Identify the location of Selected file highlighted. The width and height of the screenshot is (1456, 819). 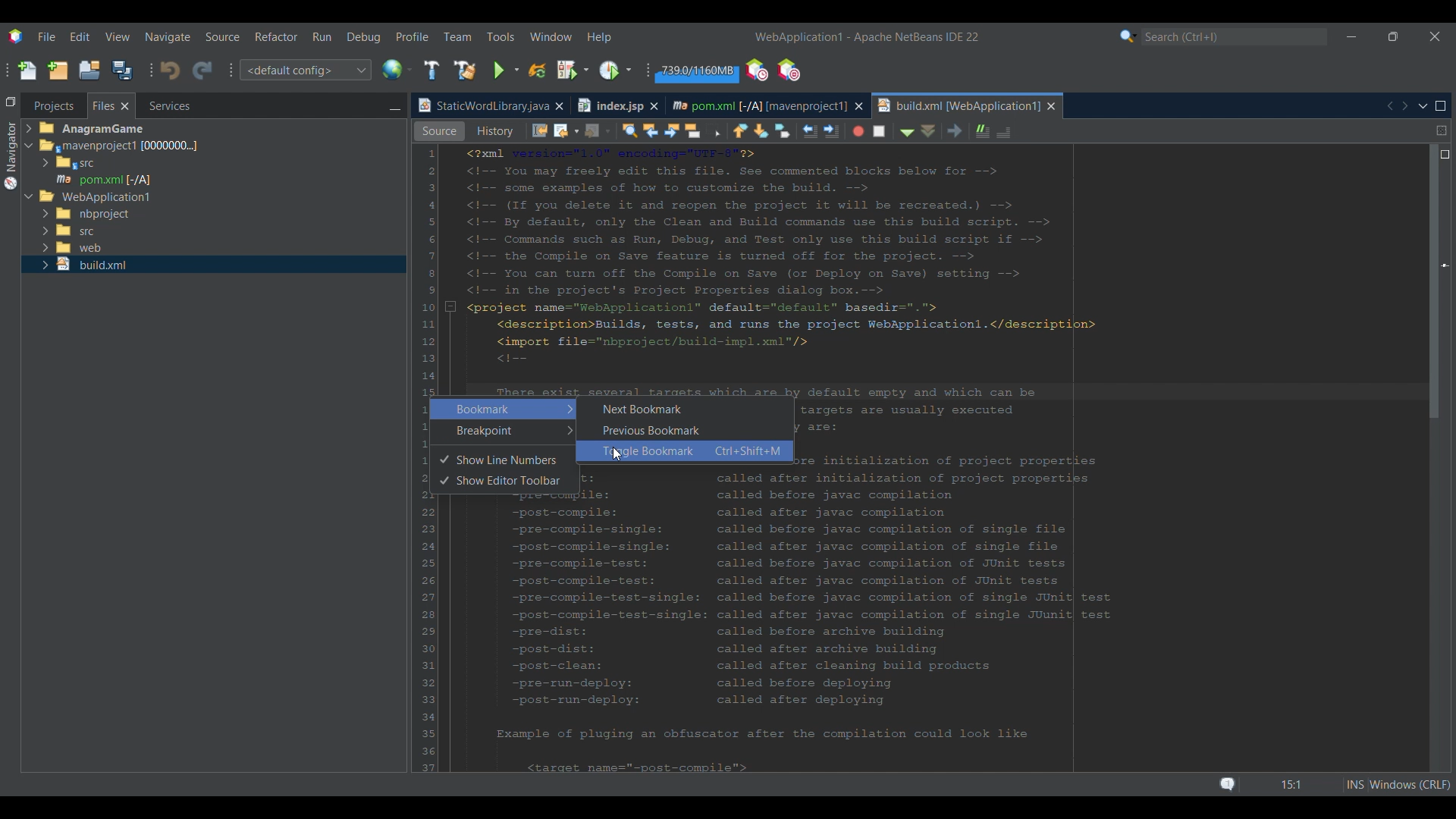
(214, 179).